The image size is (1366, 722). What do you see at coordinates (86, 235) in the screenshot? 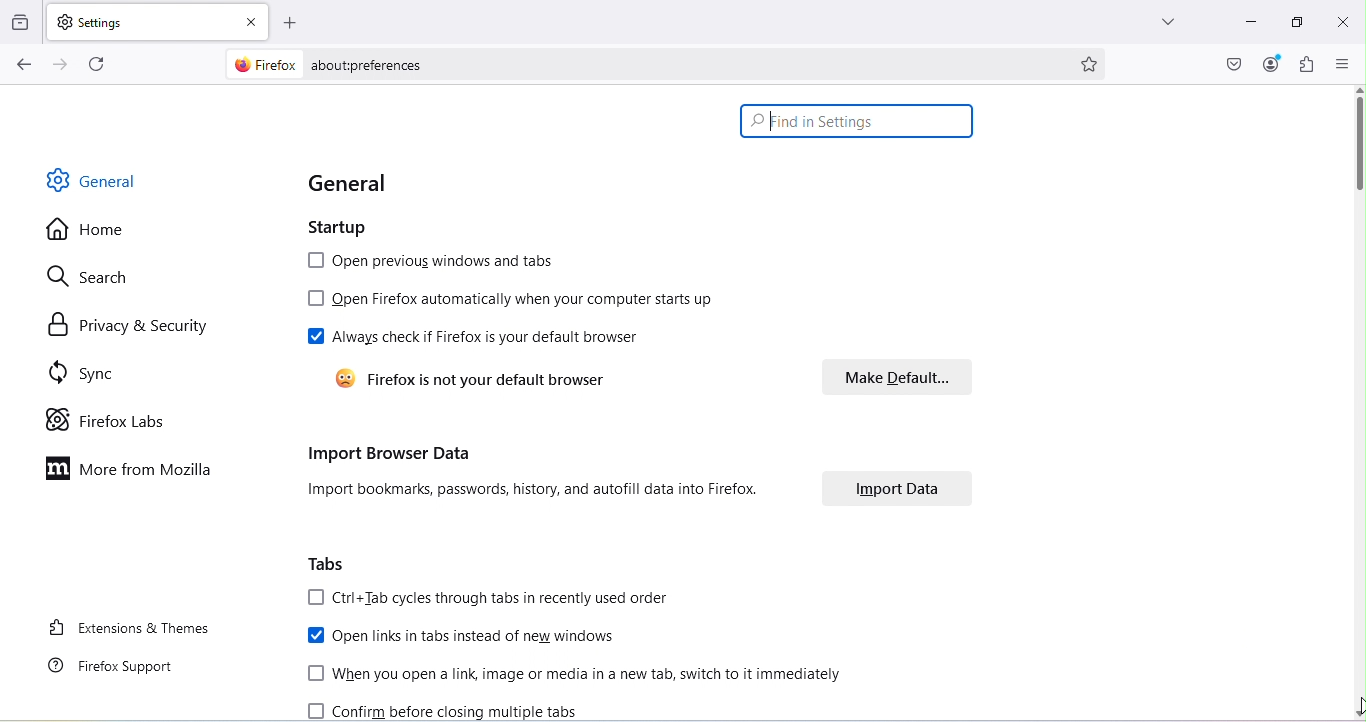
I see `Home` at bounding box center [86, 235].